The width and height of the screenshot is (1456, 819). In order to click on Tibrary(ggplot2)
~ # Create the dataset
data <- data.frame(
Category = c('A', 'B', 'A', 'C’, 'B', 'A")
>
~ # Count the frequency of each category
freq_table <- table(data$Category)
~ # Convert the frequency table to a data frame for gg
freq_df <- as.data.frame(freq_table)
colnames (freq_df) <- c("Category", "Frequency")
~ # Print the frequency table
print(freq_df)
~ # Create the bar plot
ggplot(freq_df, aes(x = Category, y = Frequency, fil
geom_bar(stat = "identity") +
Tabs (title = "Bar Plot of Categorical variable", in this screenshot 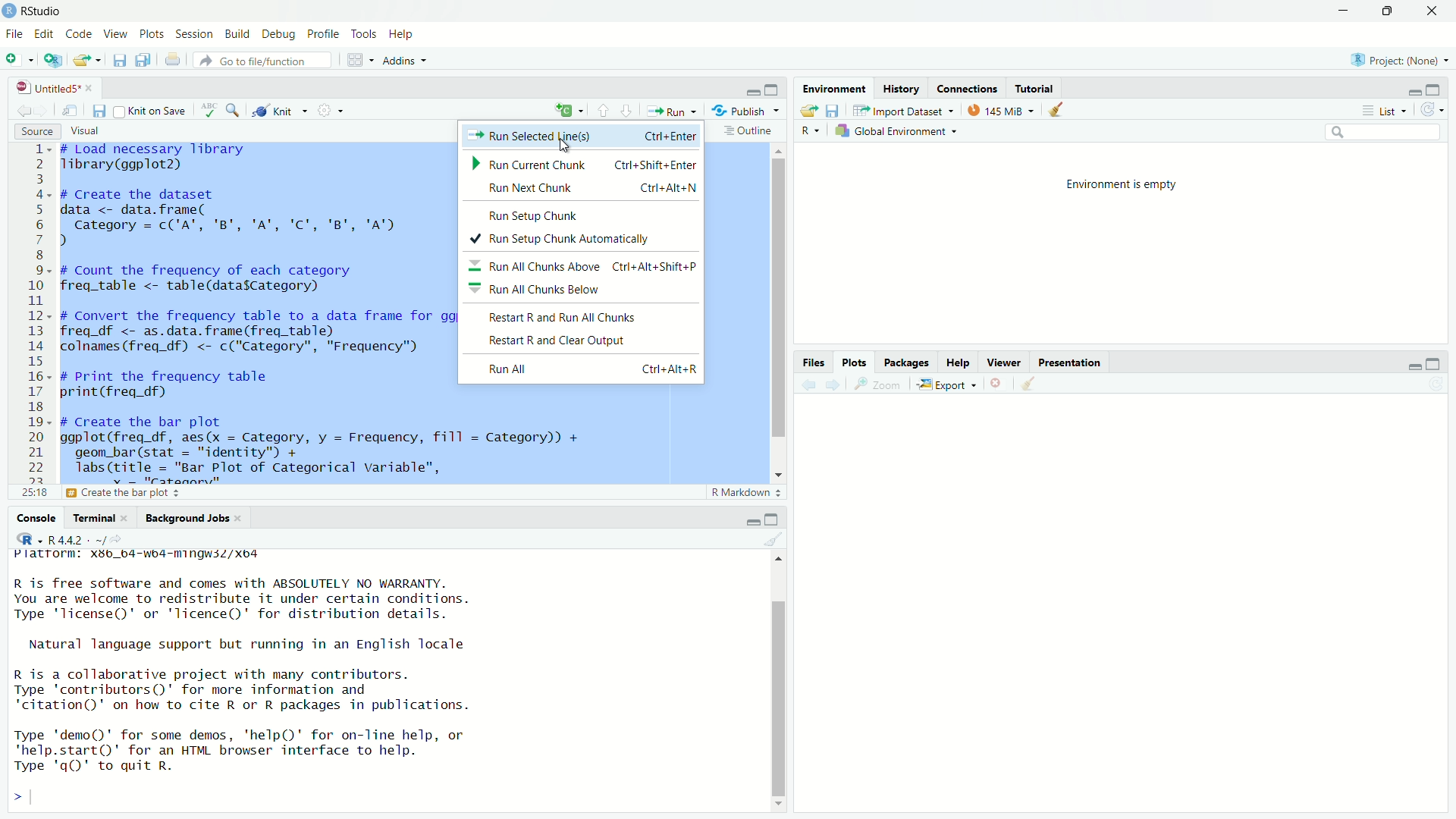, I will do `click(254, 310)`.